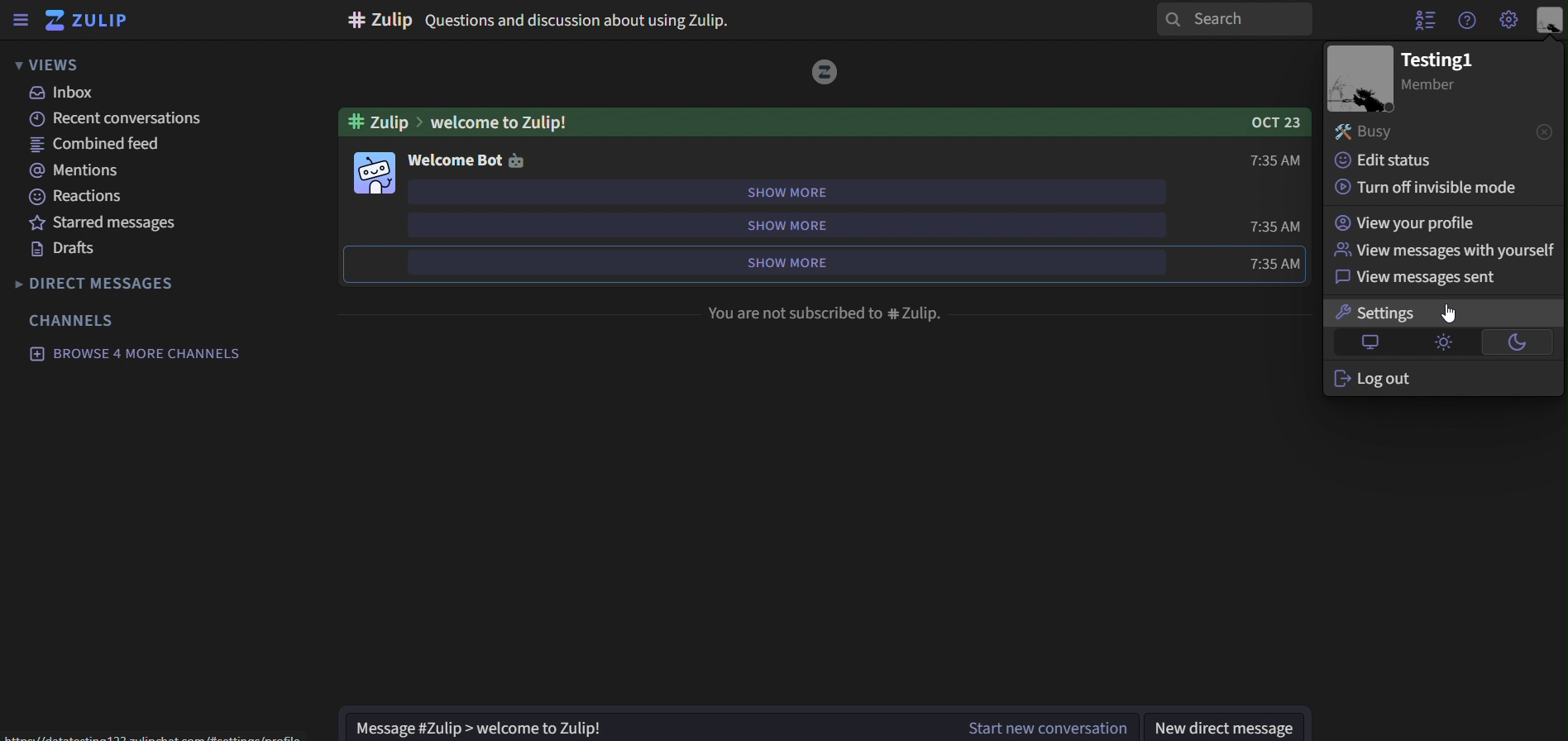  What do you see at coordinates (1374, 343) in the screenshot?
I see `default theme` at bounding box center [1374, 343].